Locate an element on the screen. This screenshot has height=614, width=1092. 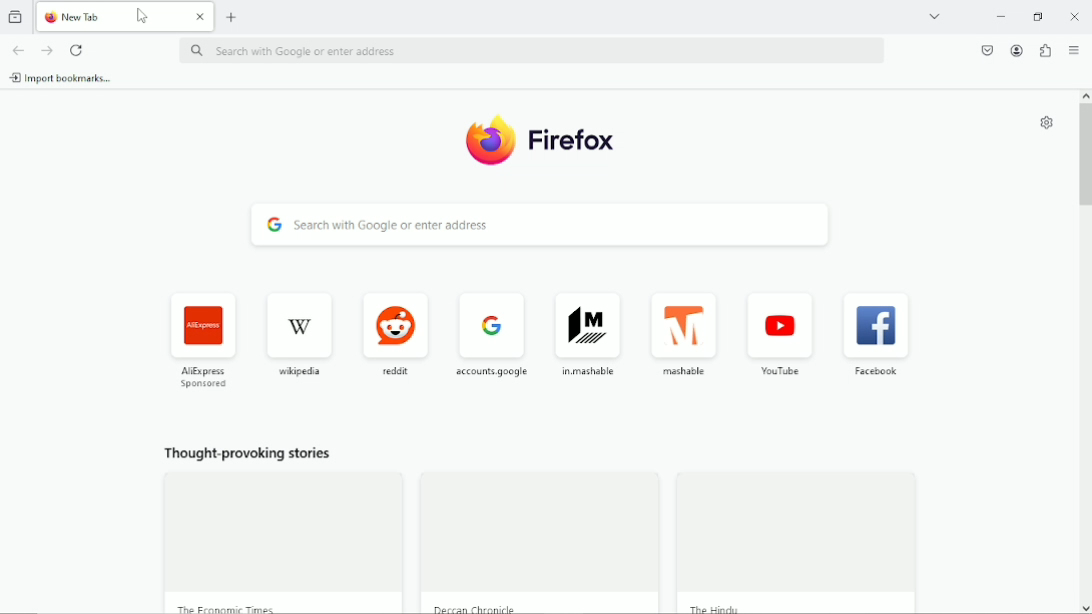
Go forward is located at coordinates (47, 50).